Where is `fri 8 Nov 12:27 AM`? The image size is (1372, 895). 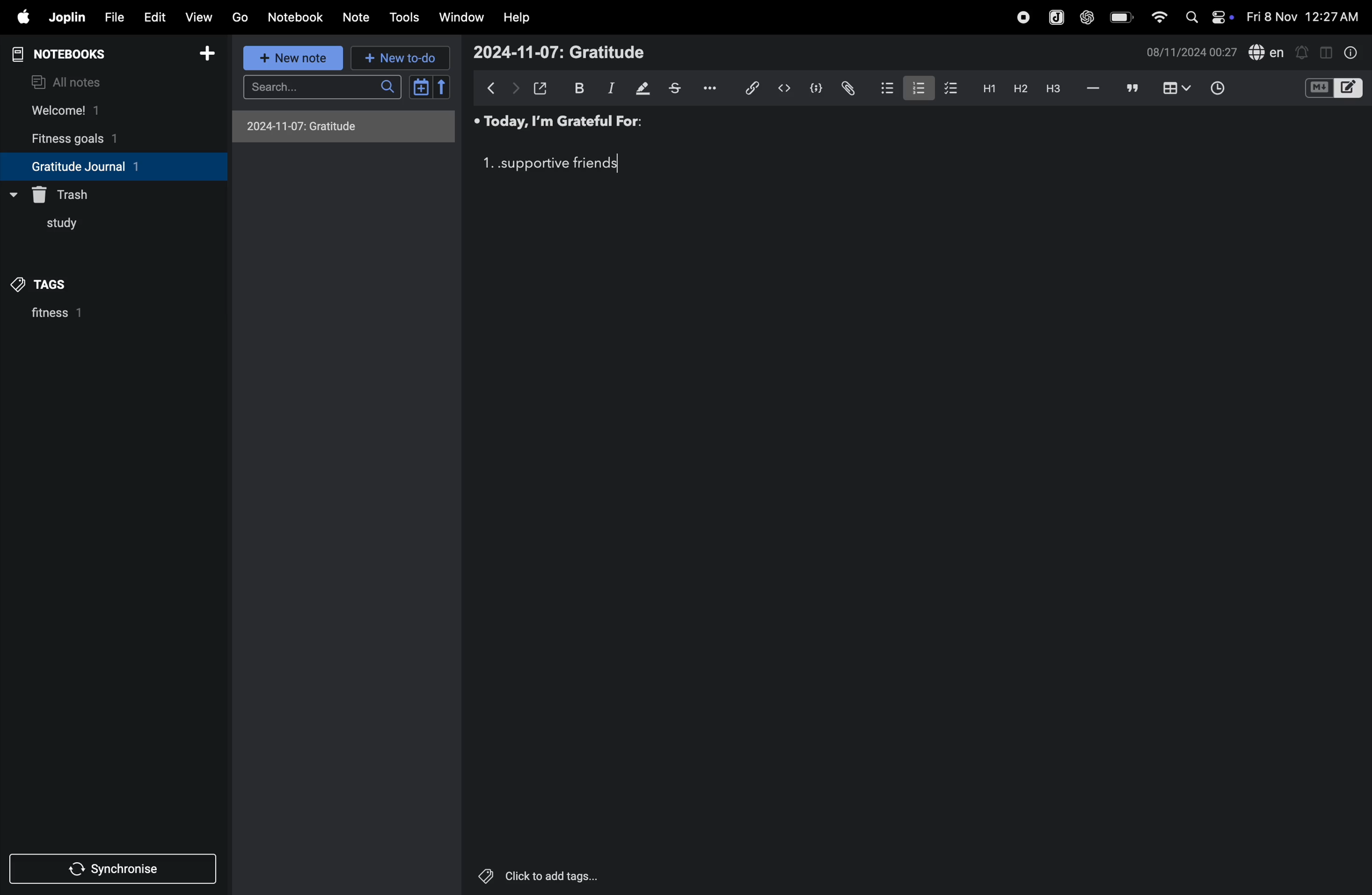 fri 8 Nov 12:27 AM is located at coordinates (1303, 15).